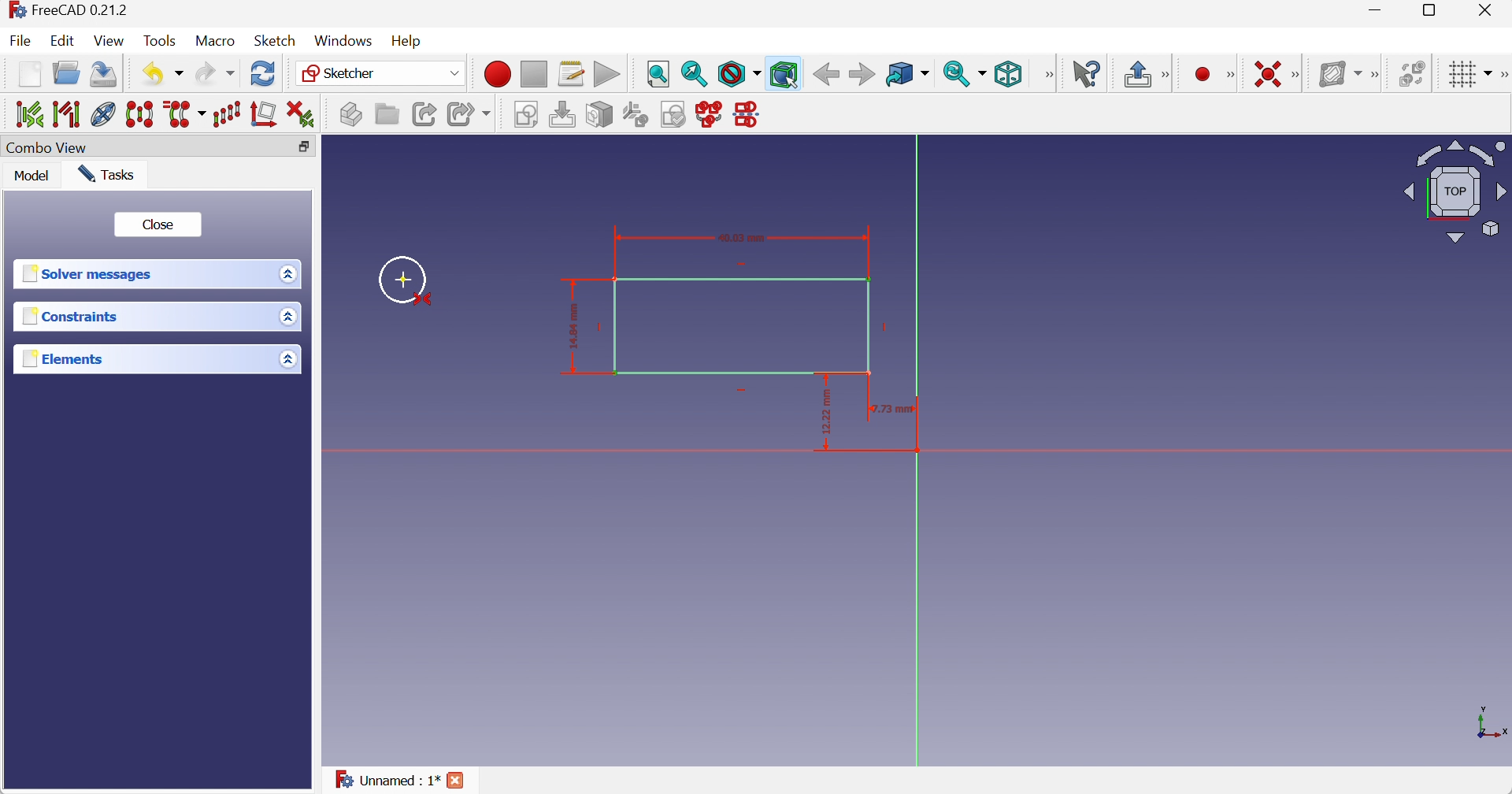  Describe the element at coordinates (791, 82) in the screenshot. I see `cursor` at that location.